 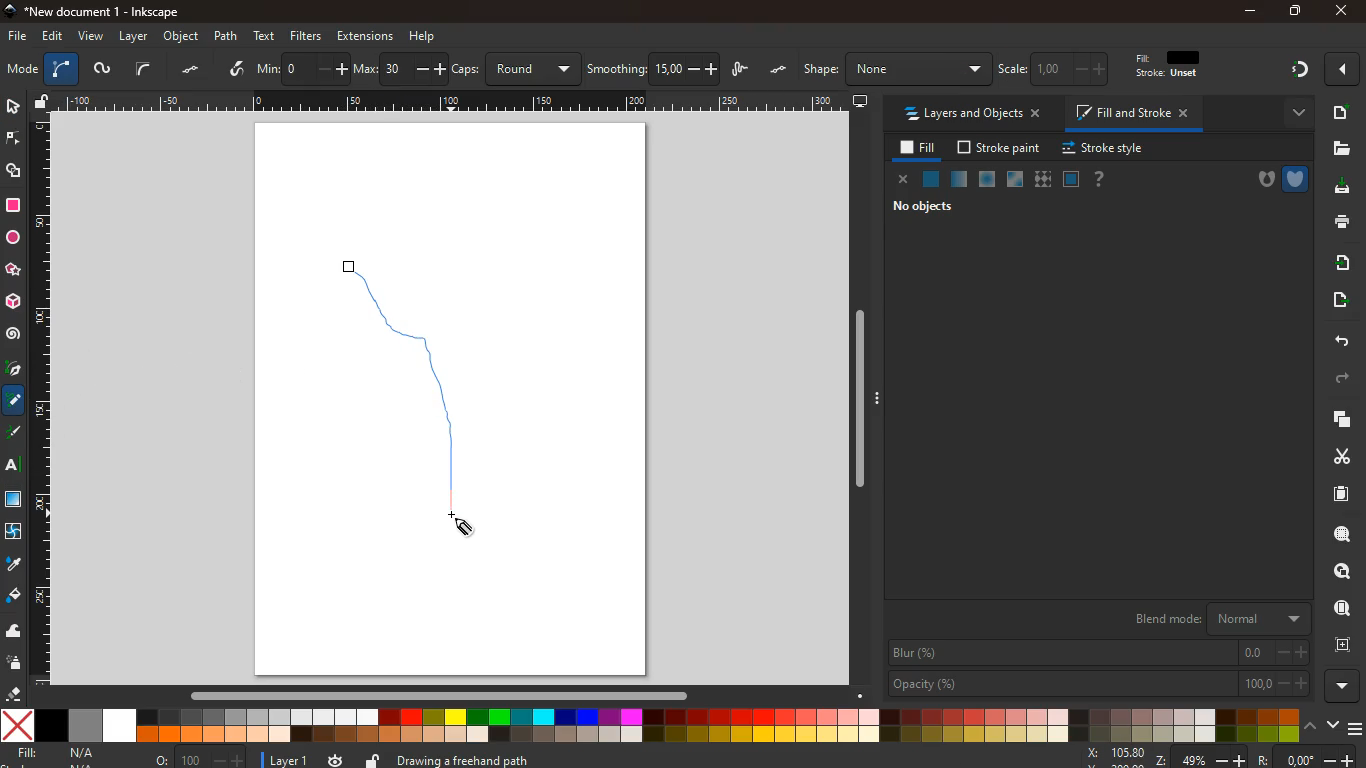 I want to click on opacity, so click(x=1099, y=684).